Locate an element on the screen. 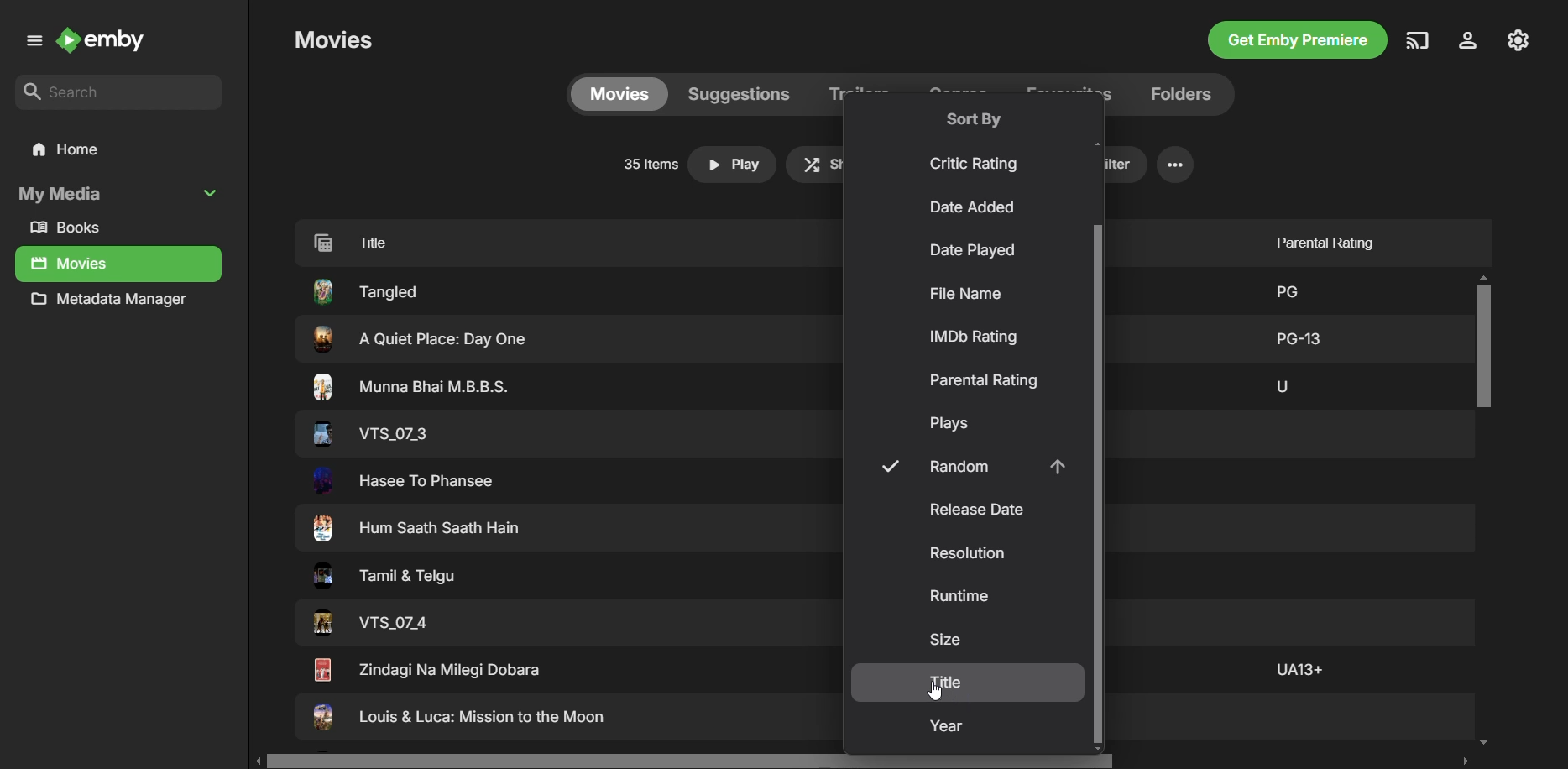 The height and width of the screenshot is (769, 1568). Trailers is located at coordinates (860, 95).